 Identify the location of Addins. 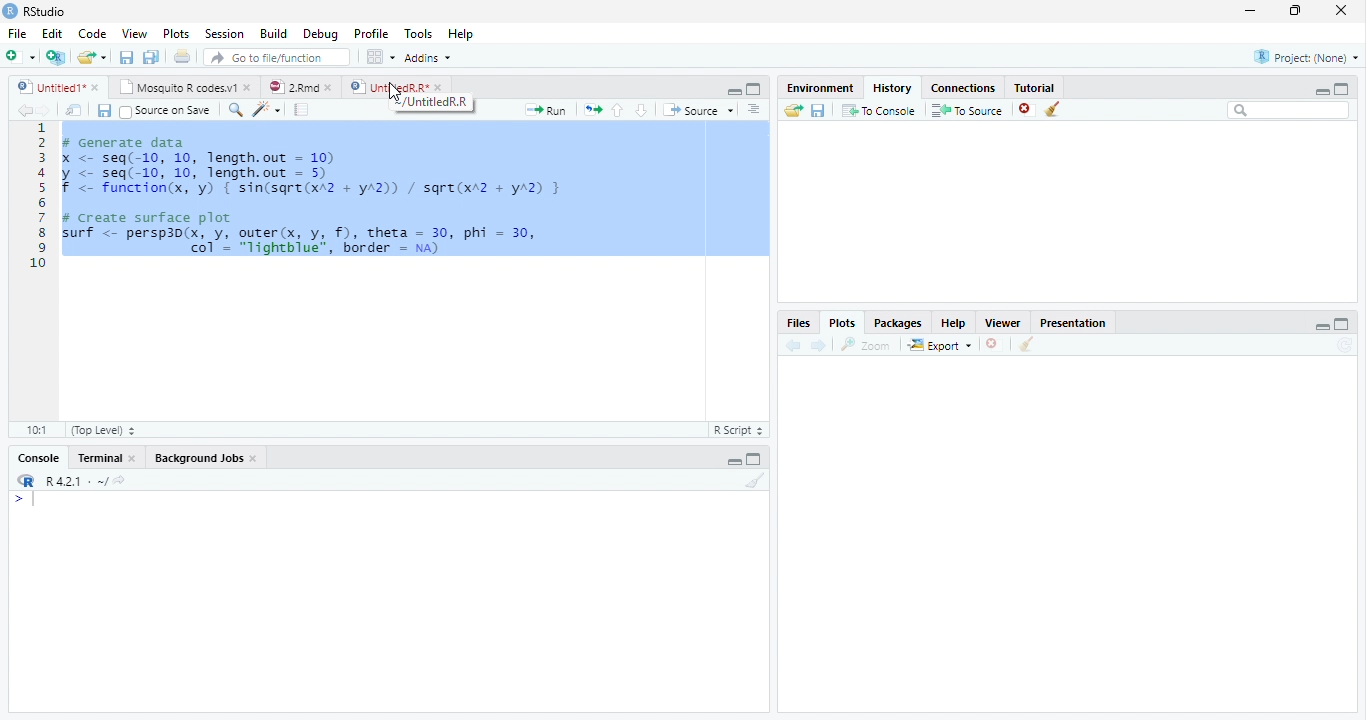
(428, 58).